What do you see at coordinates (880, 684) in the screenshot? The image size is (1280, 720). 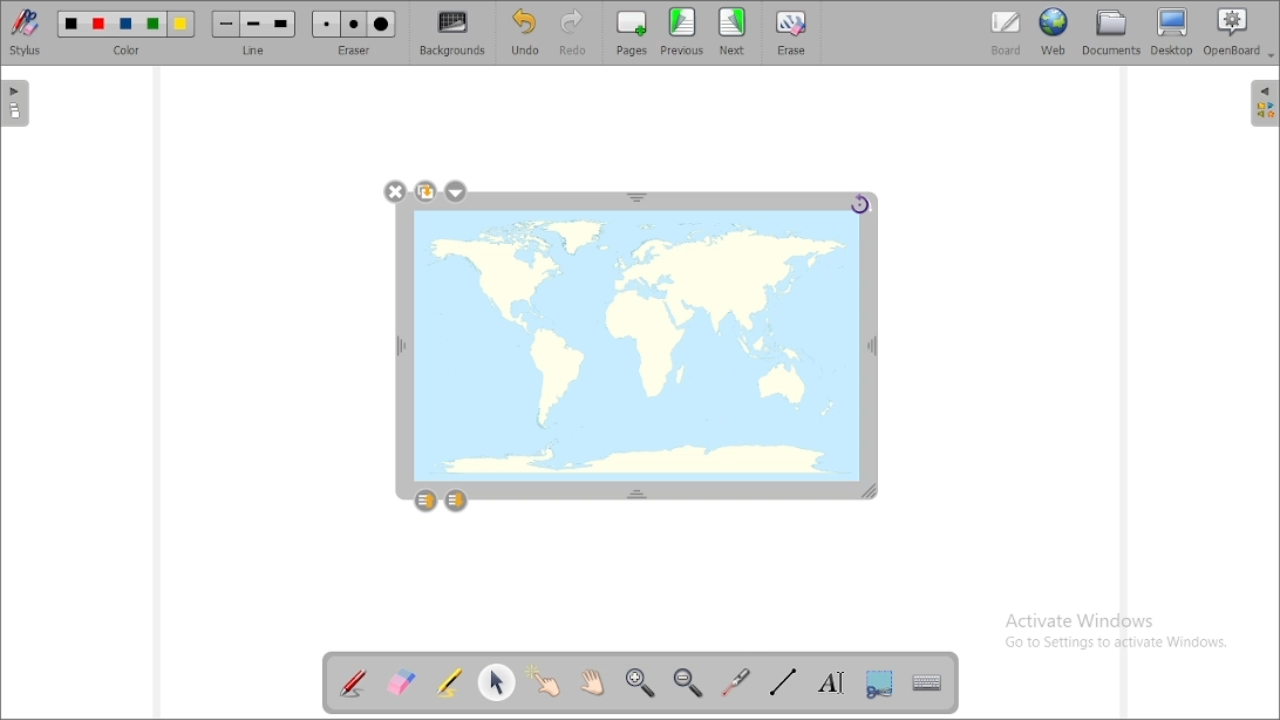 I see `capture part of the screen` at bounding box center [880, 684].